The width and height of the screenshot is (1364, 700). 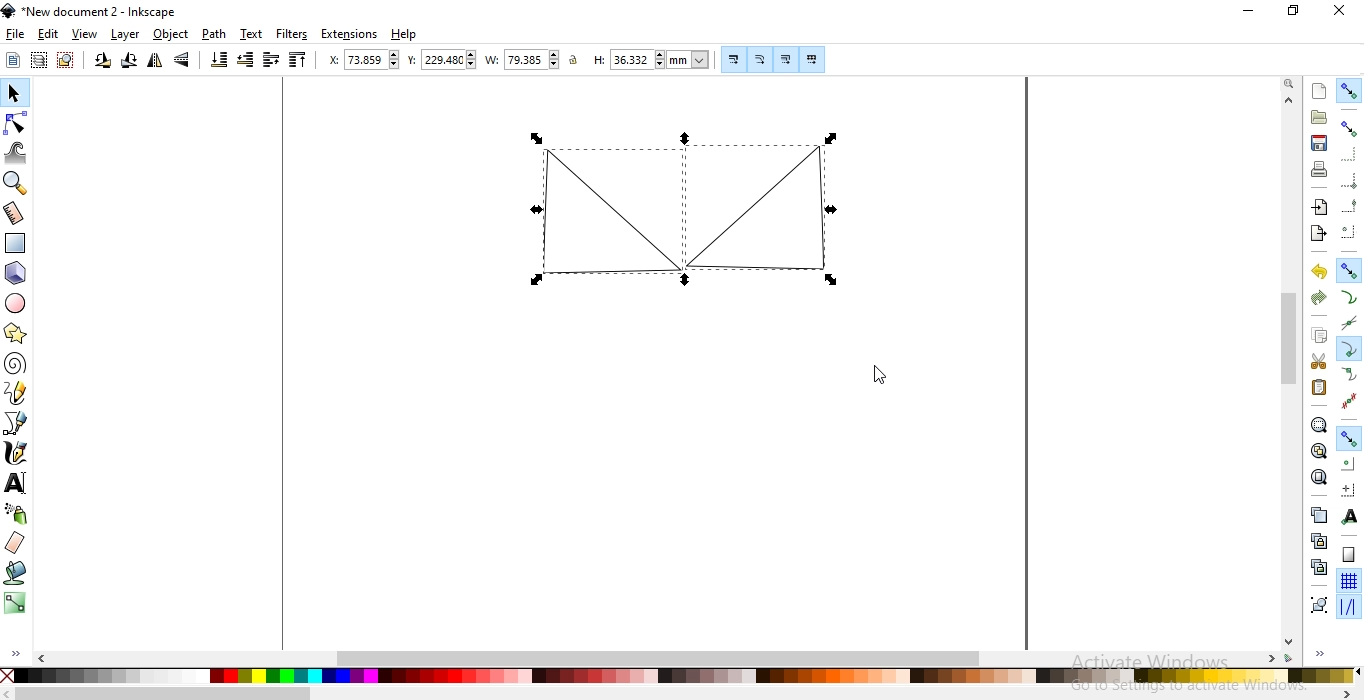 I want to click on colors, so click(x=680, y=676).